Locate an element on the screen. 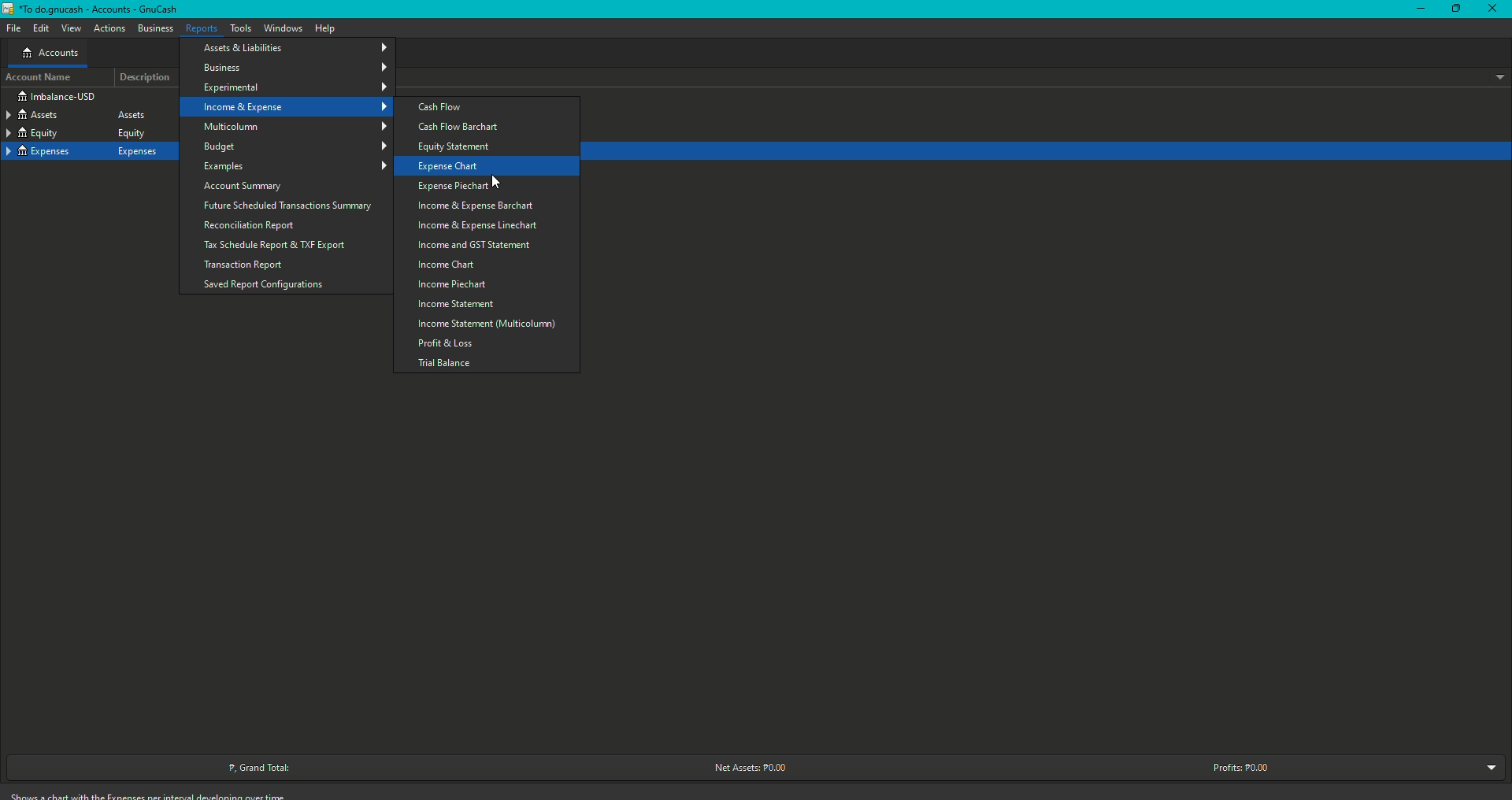  Cursor is located at coordinates (494, 180).